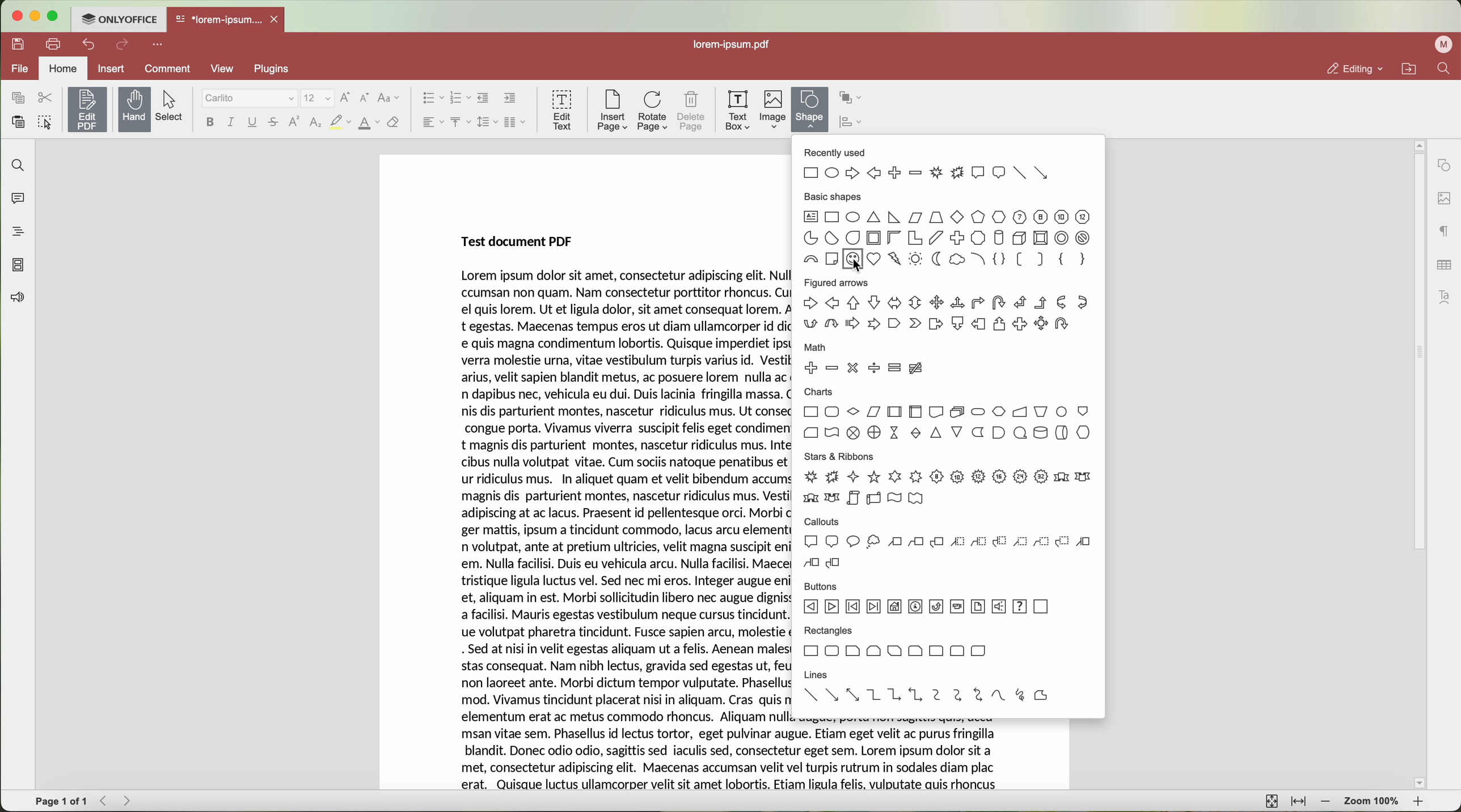  I want to click on edit text, so click(561, 109).